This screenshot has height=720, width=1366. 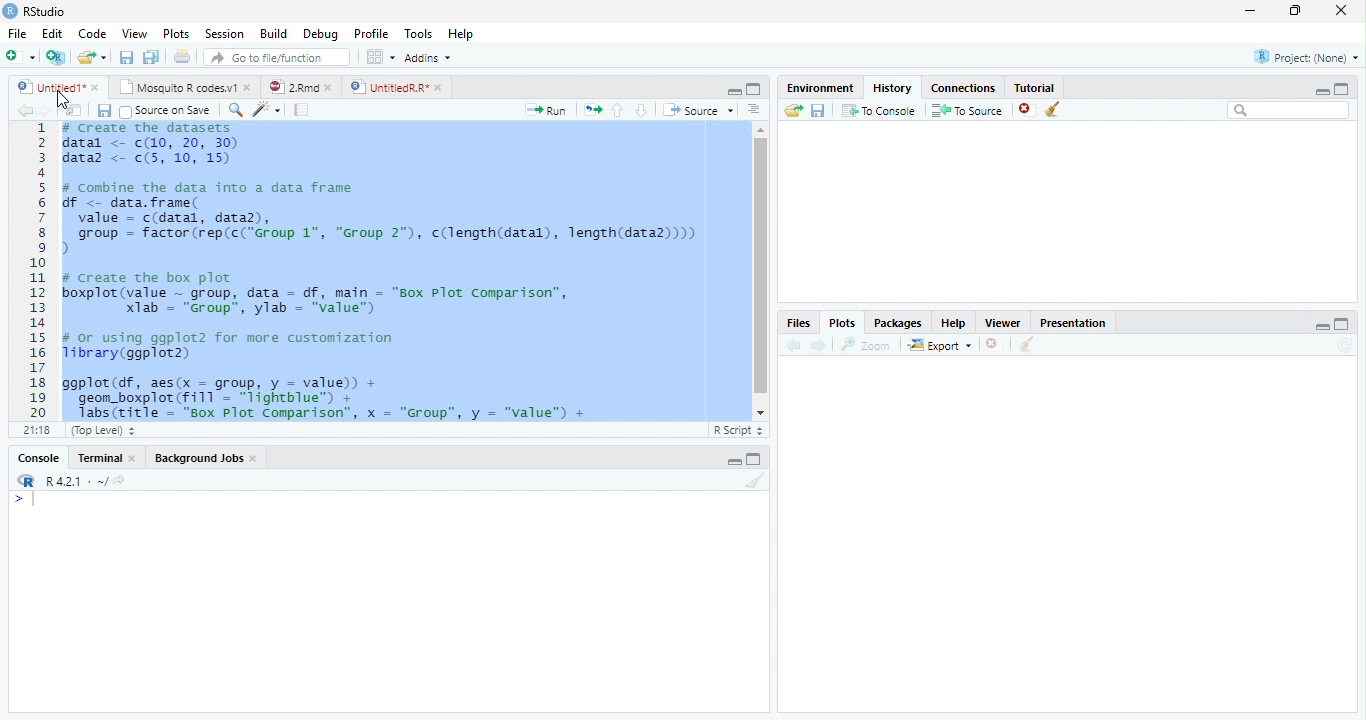 What do you see at coordinates (17, 33) in the screenshot?
I see `File` at bounding box center [17, 33].